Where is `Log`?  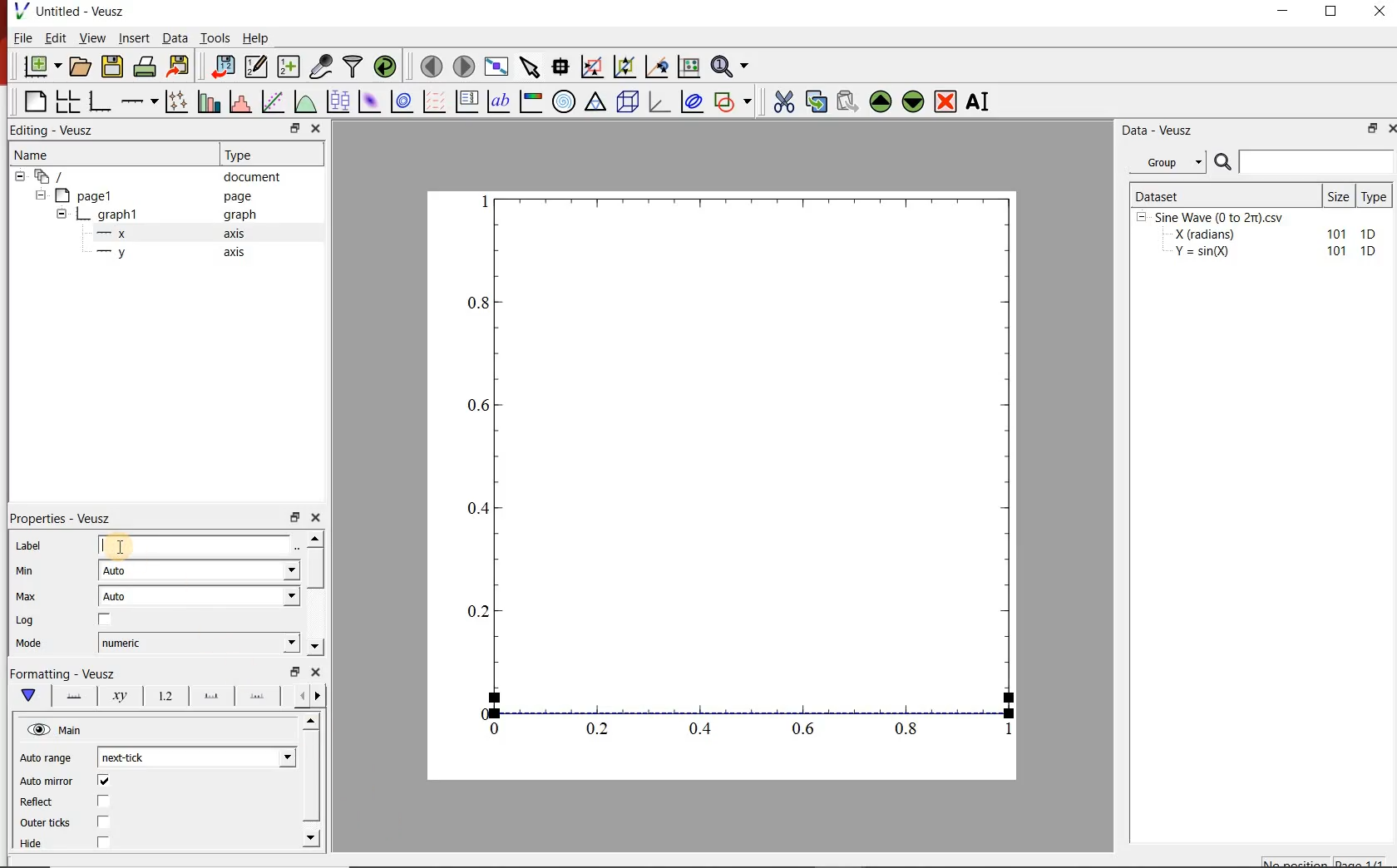 Log is located at coordinates (25, 620).